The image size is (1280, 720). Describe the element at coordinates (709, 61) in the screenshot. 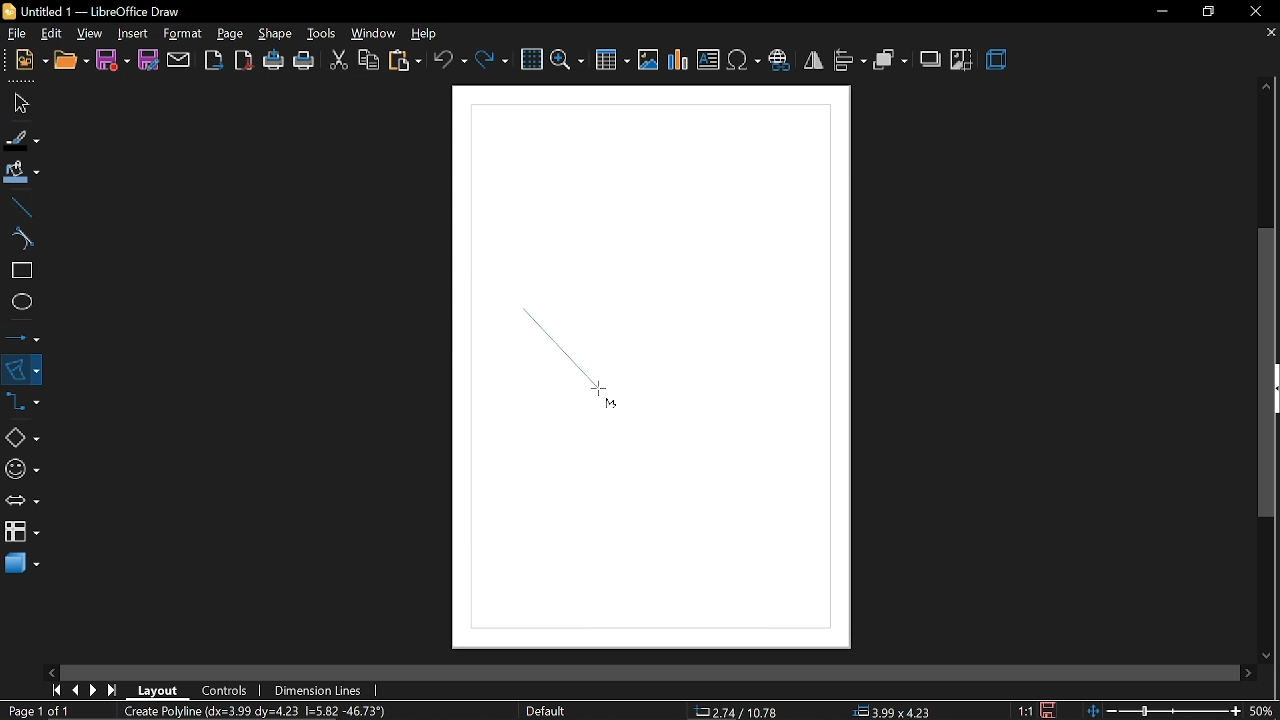

I see `insert image` at that location.